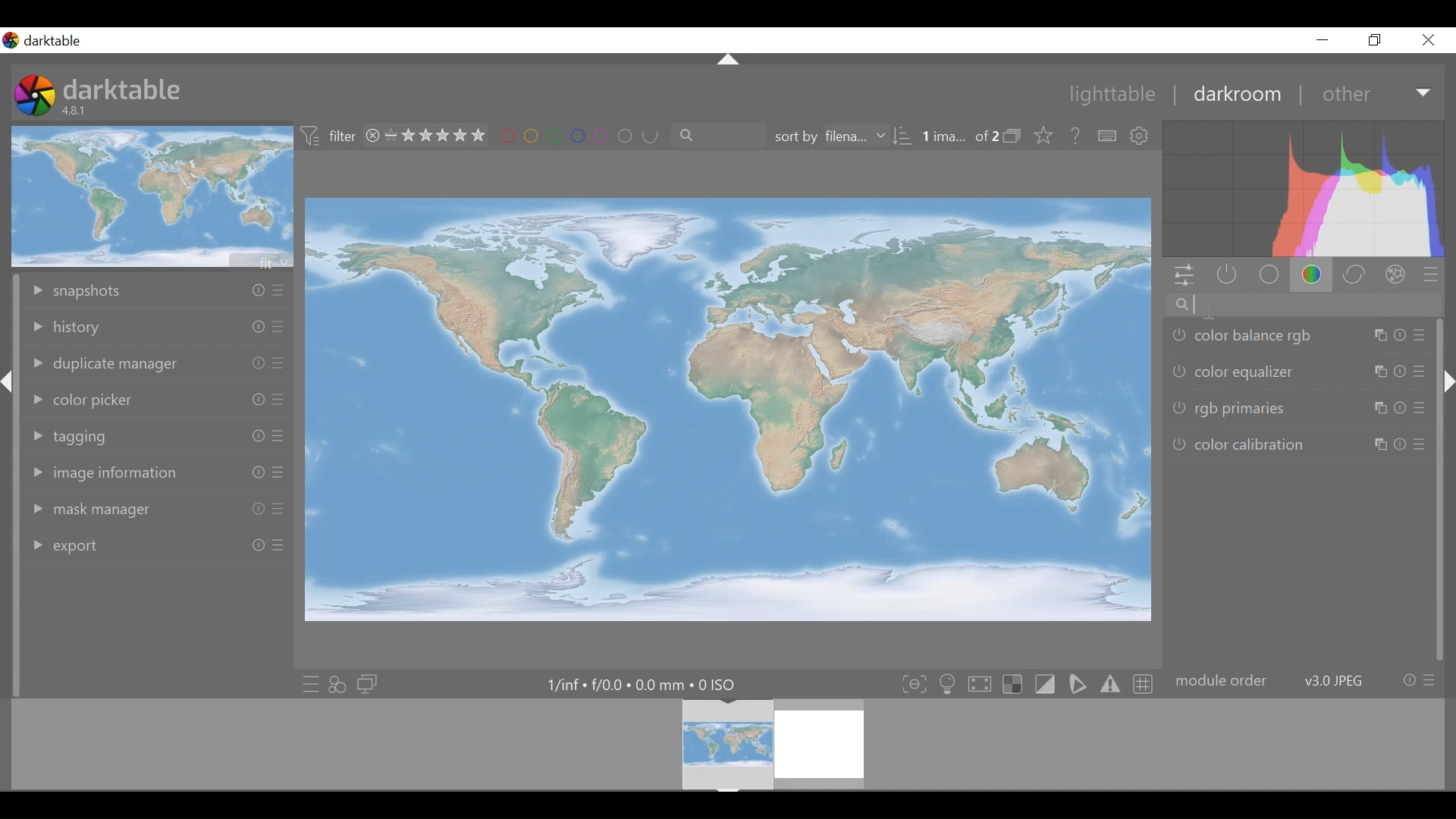 This screenshot has height=819, width=1456. What do you see at coordinates (155, 509) in the screenshot?
I see `mask manager` at bounding box center [155, 509].